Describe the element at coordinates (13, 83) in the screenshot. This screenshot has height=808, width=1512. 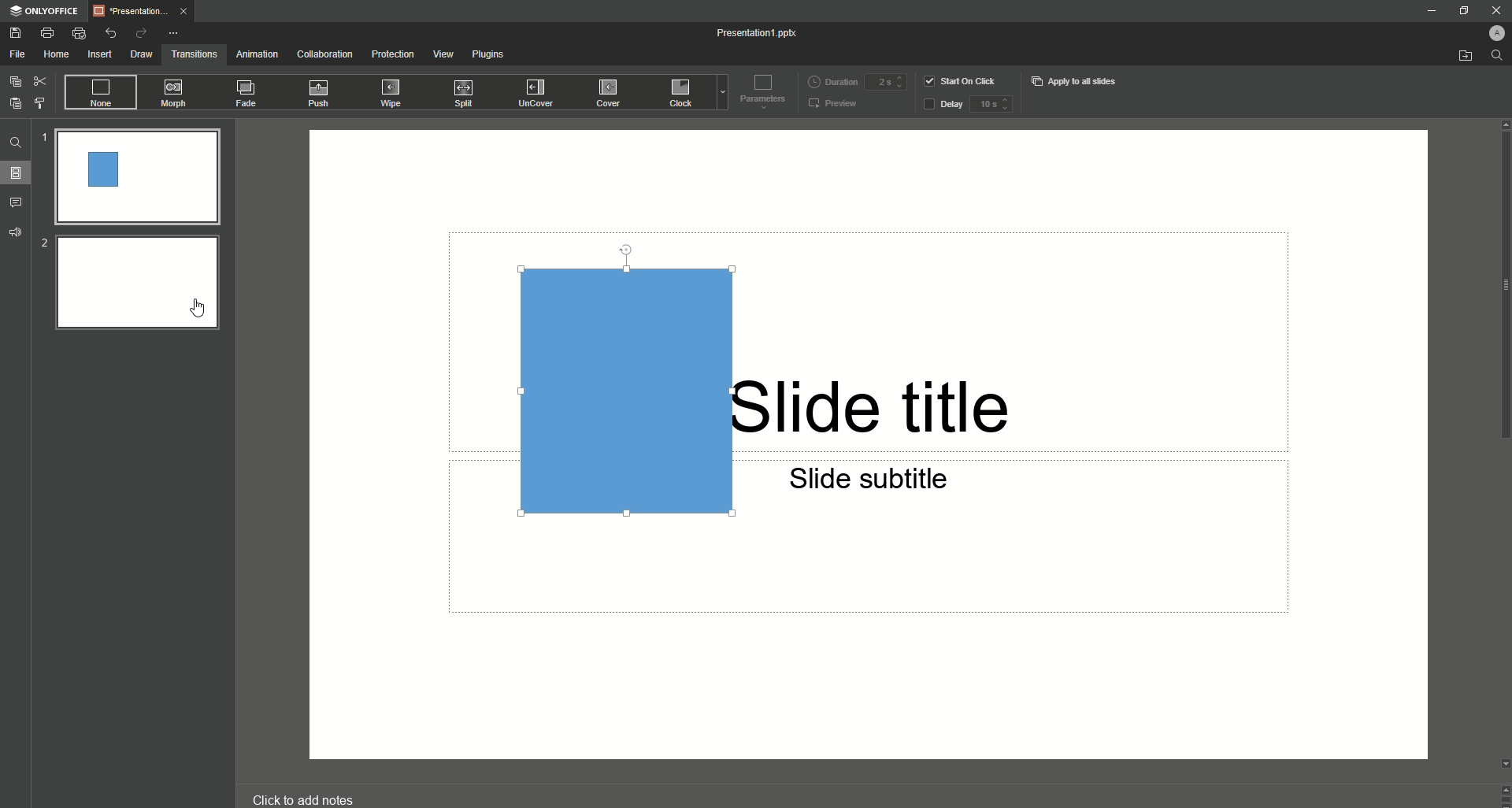
I see `Copy` at that location.